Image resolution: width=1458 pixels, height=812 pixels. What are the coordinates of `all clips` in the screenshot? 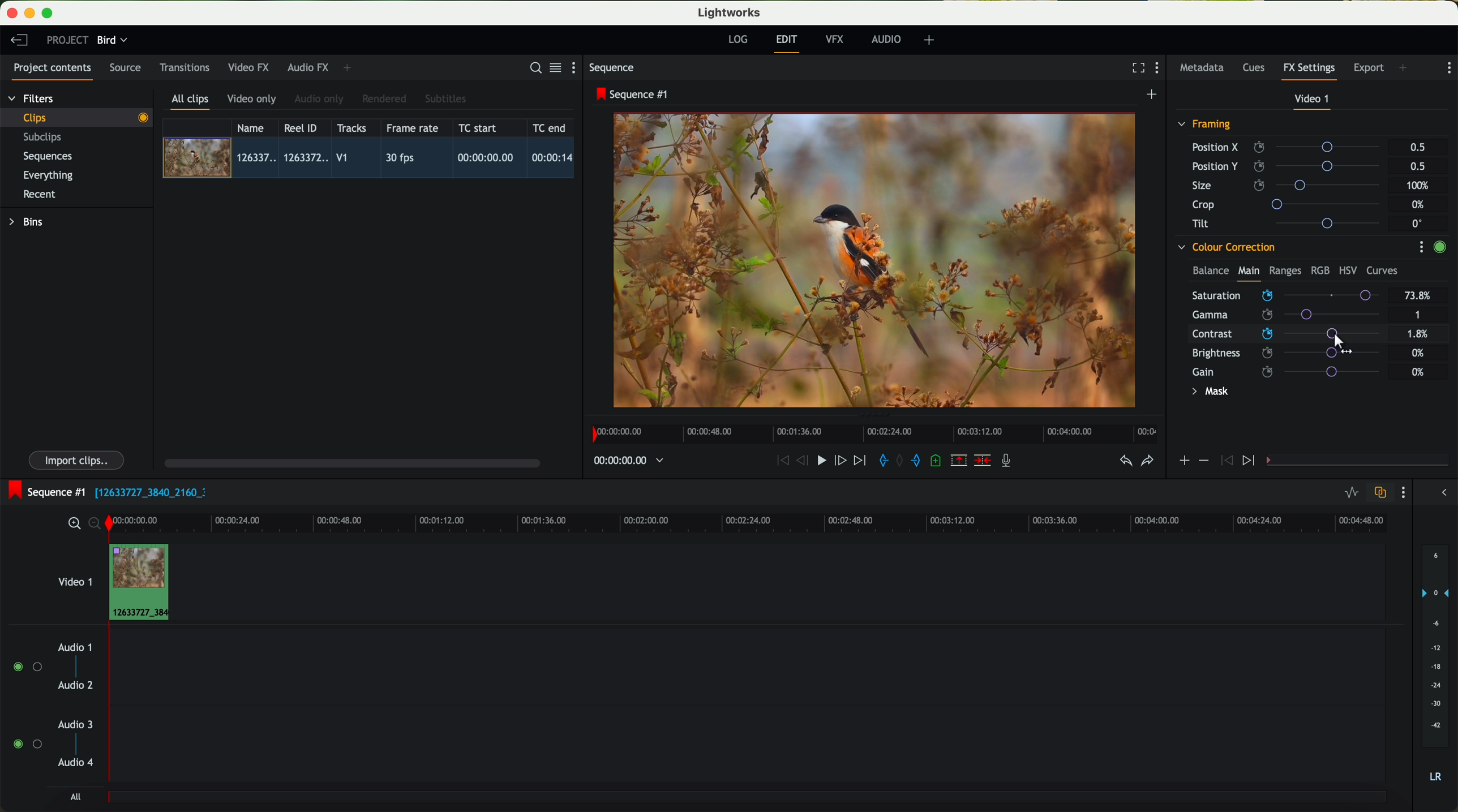 It's located at (191, 102).